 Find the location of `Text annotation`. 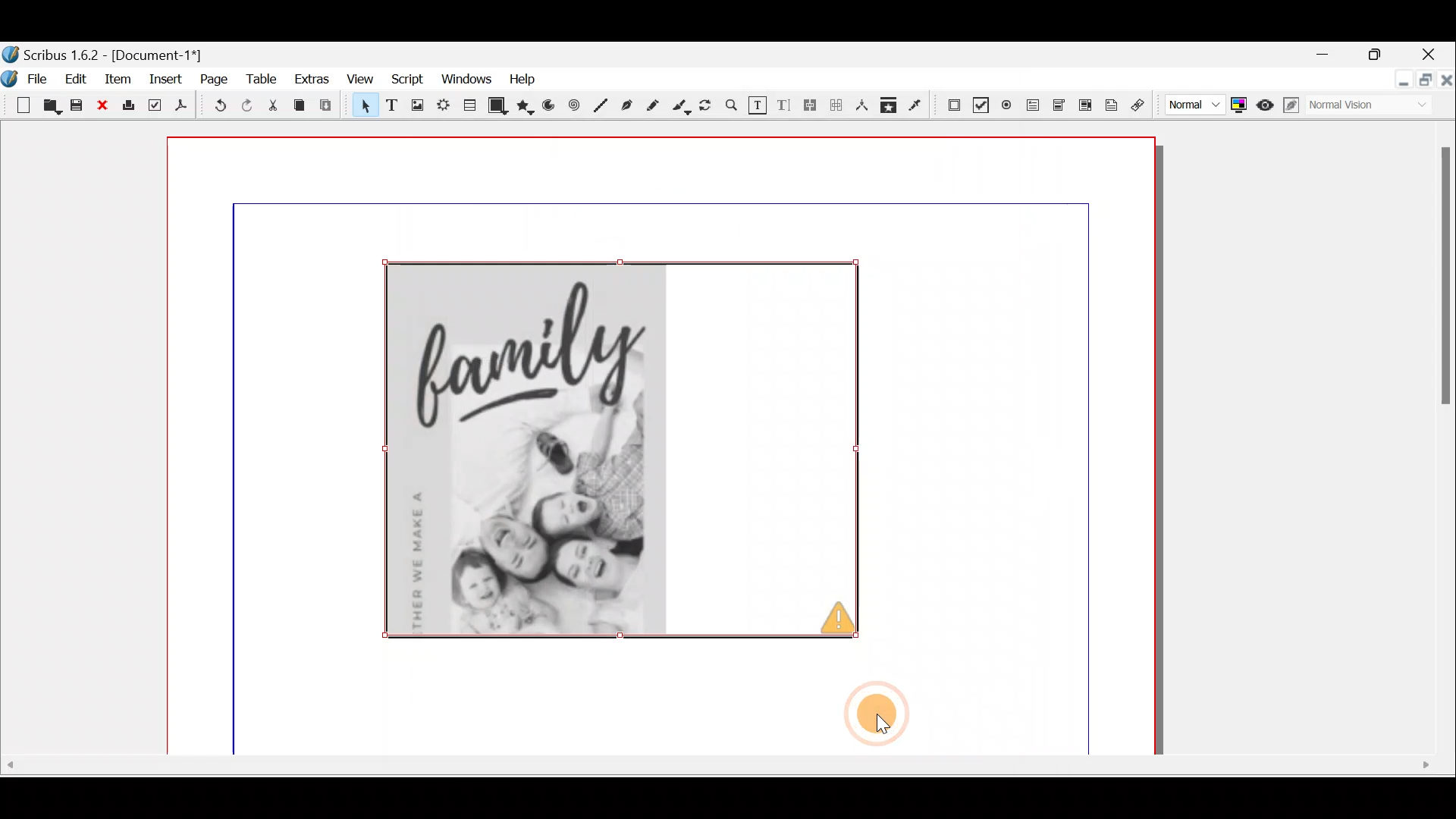

Text annotation is located at coordinates (1112, 108).